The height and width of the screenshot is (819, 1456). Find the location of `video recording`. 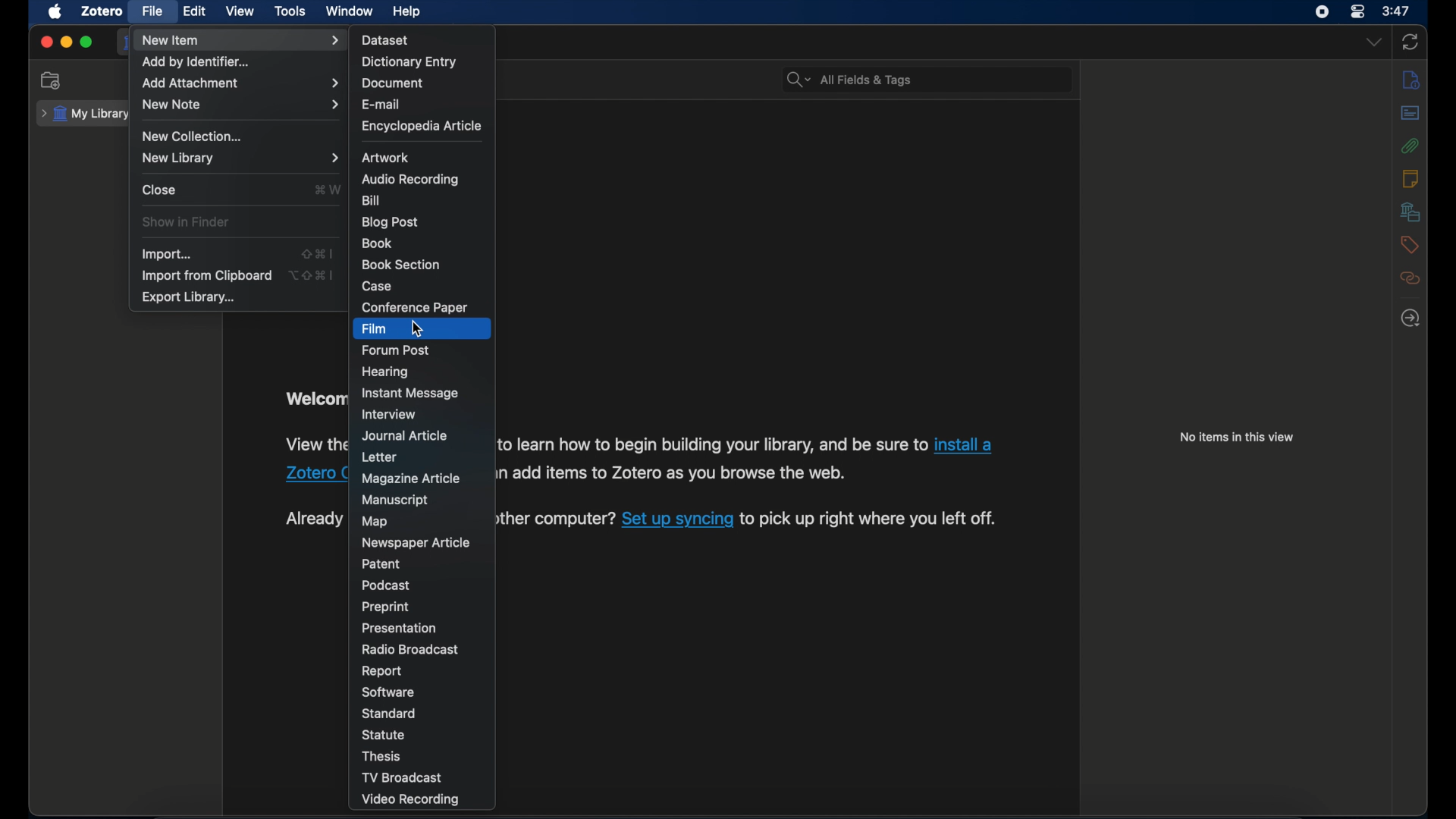

video recording is located at coordinates (411, 800).